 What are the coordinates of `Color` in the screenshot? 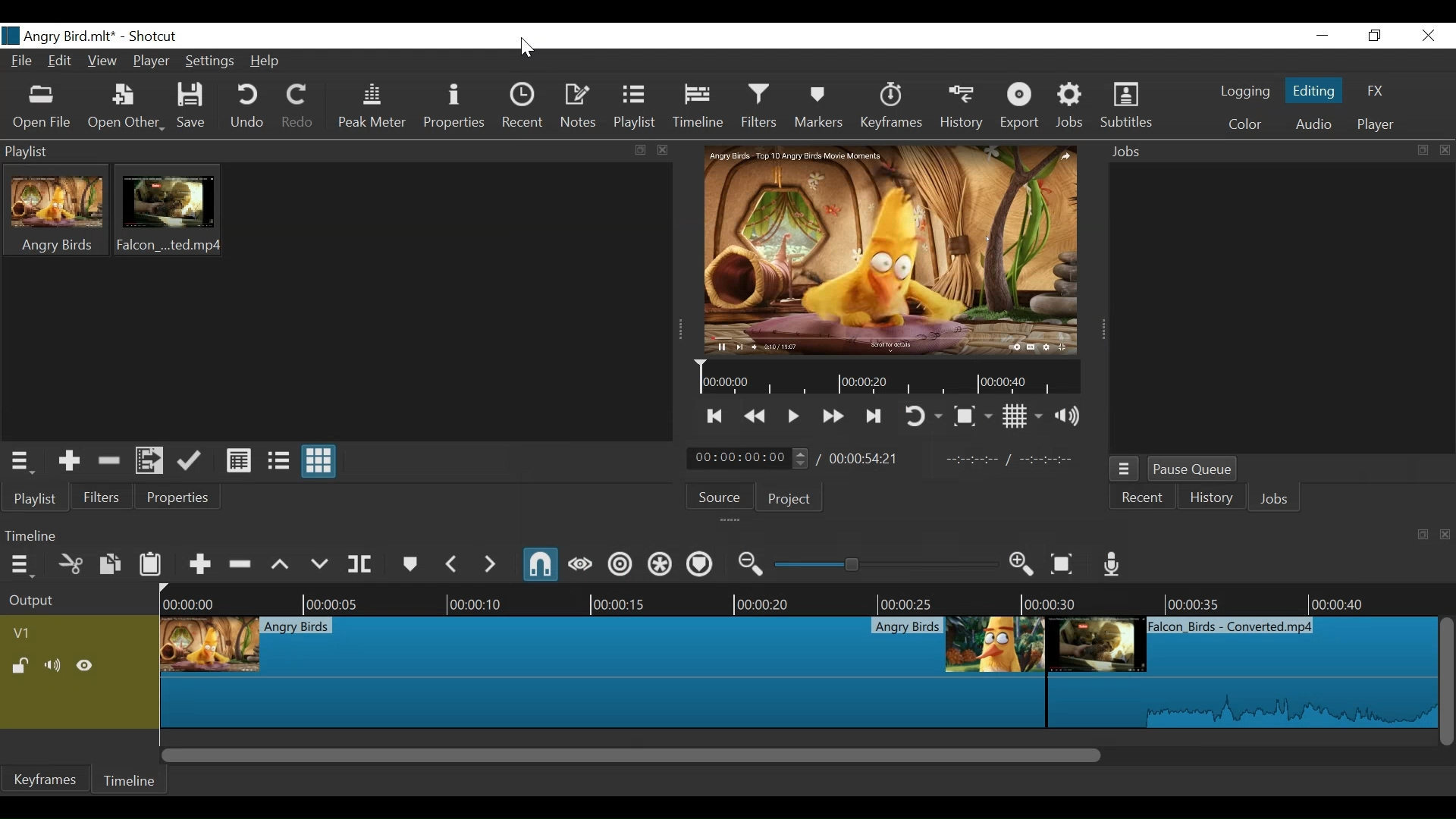 It's located at (1246, 124).